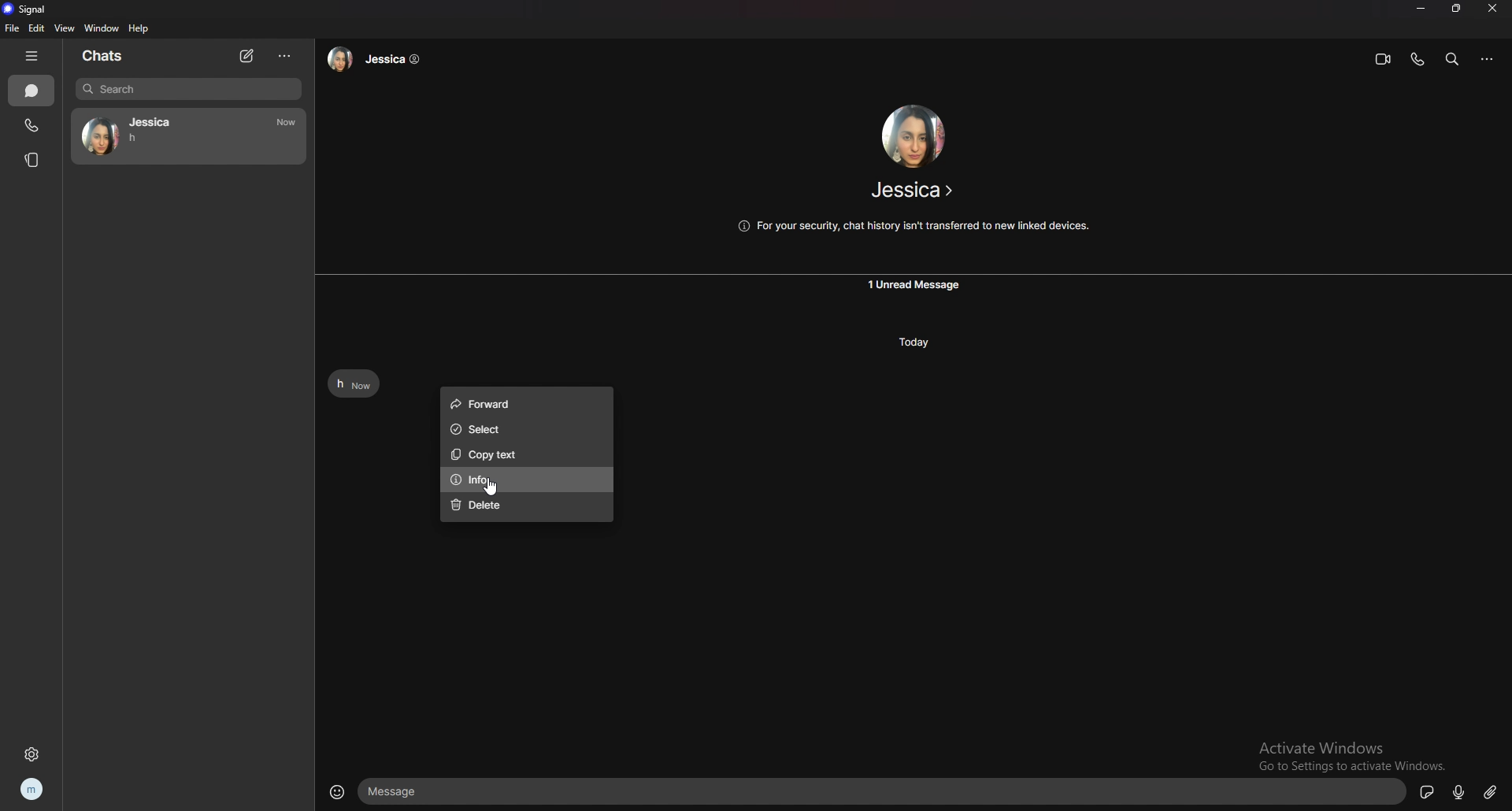 This screenshot has height=811, width=1512. I want to click on settings, so click(31, 754).